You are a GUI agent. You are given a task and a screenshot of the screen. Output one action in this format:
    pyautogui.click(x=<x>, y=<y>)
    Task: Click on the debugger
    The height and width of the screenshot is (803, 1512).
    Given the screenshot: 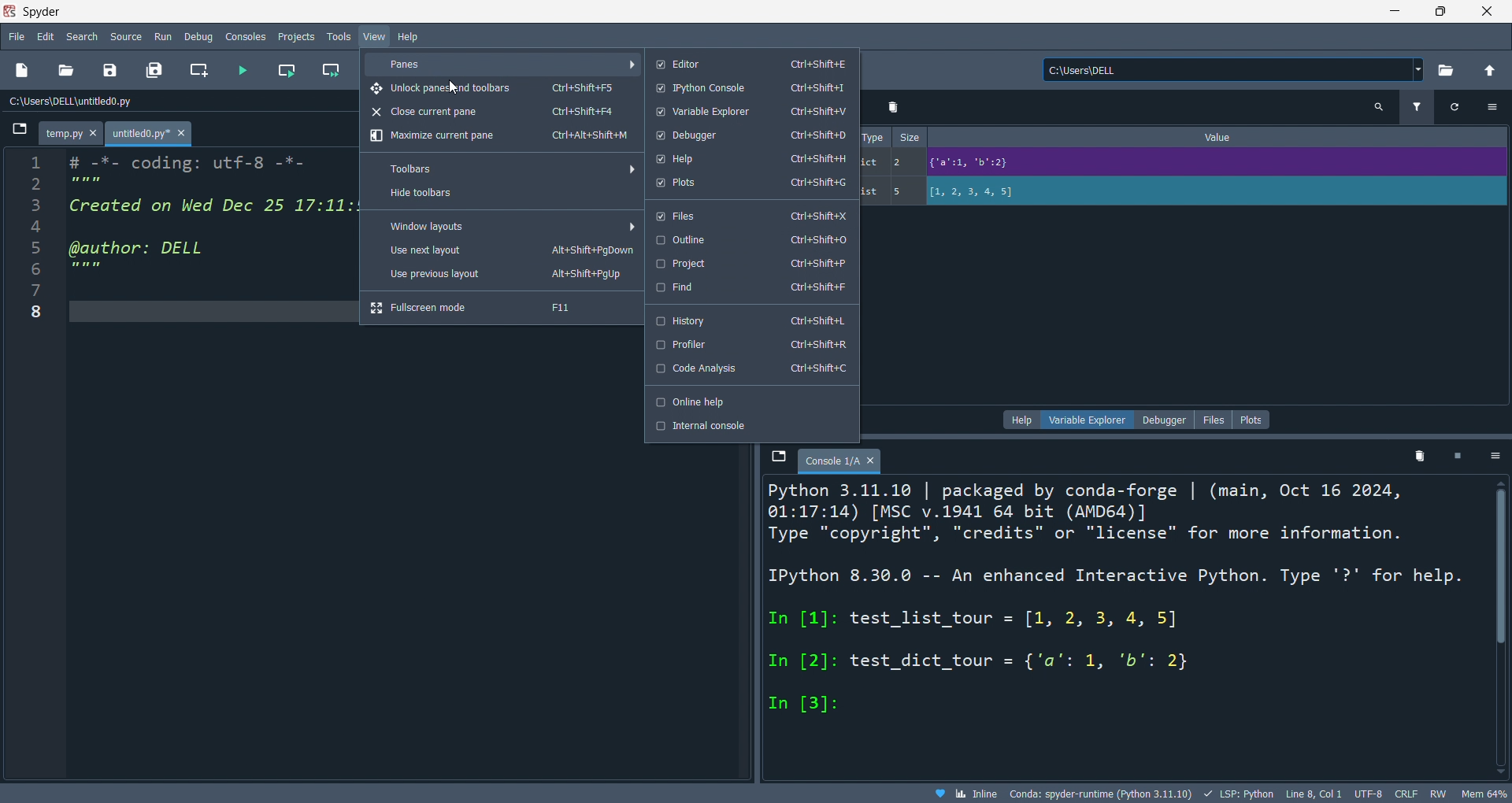 What is the action you would take?
    pyautogui.click(x=1164, y=420)
    